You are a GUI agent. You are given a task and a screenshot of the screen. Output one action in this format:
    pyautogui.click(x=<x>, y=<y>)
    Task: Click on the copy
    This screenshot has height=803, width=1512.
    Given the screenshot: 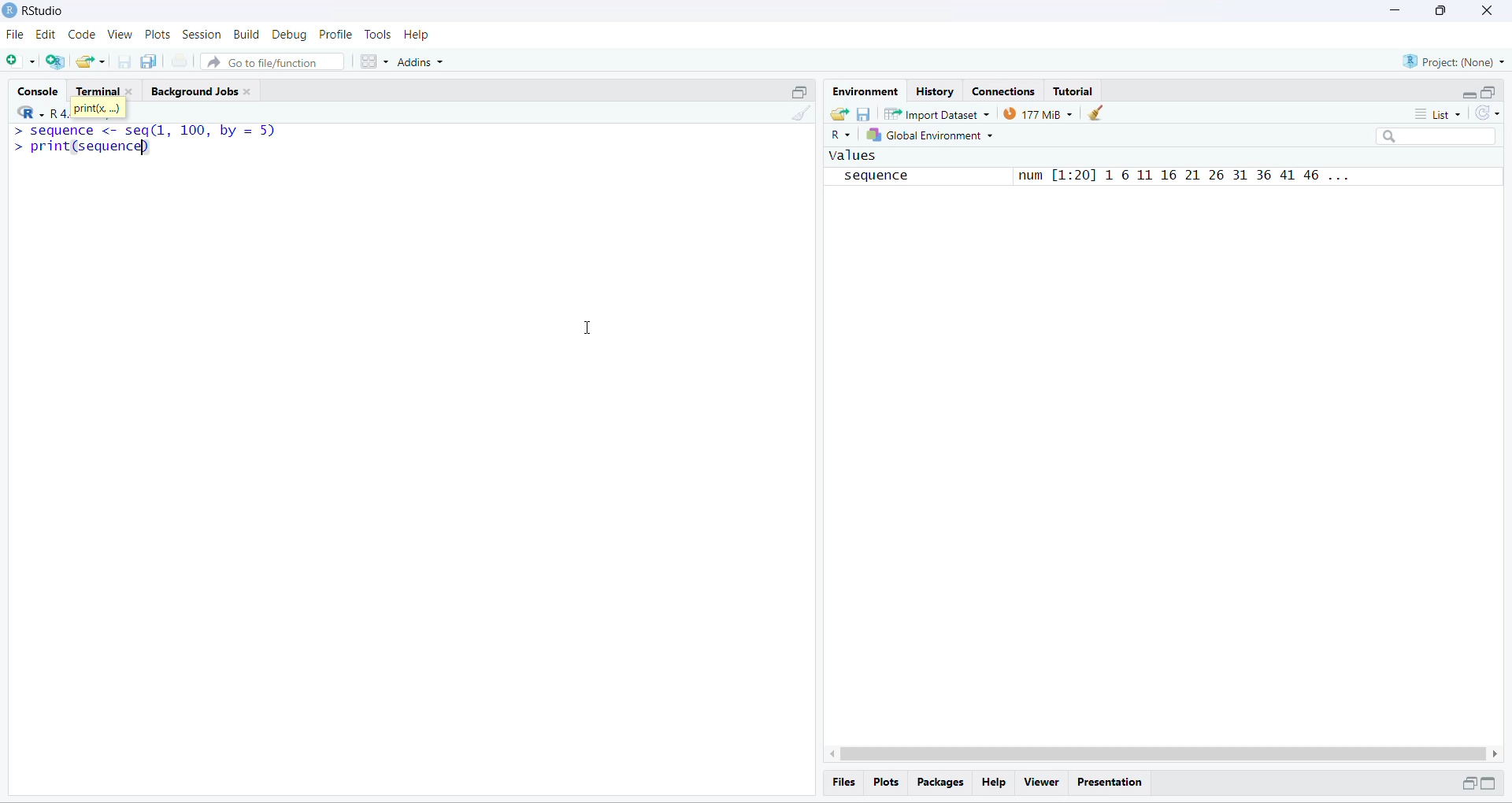 What is the action you would take?
    pyautogui.click(x=150, y=61)
    